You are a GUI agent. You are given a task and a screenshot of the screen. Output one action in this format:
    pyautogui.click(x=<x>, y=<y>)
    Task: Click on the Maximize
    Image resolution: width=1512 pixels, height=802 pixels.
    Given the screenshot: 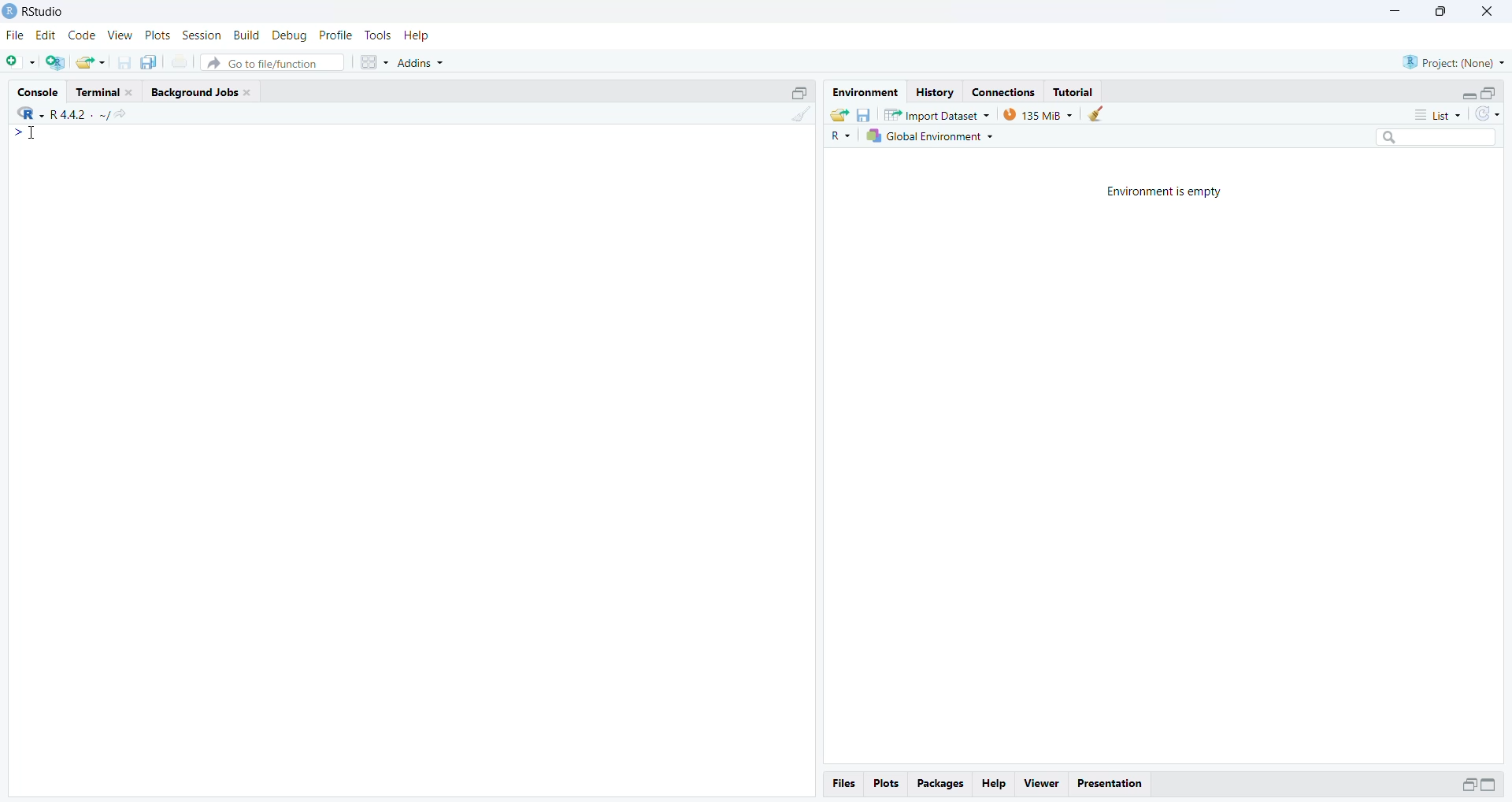 What is the action you would take?
    pyautogui.click(x=1493, y=785)
    